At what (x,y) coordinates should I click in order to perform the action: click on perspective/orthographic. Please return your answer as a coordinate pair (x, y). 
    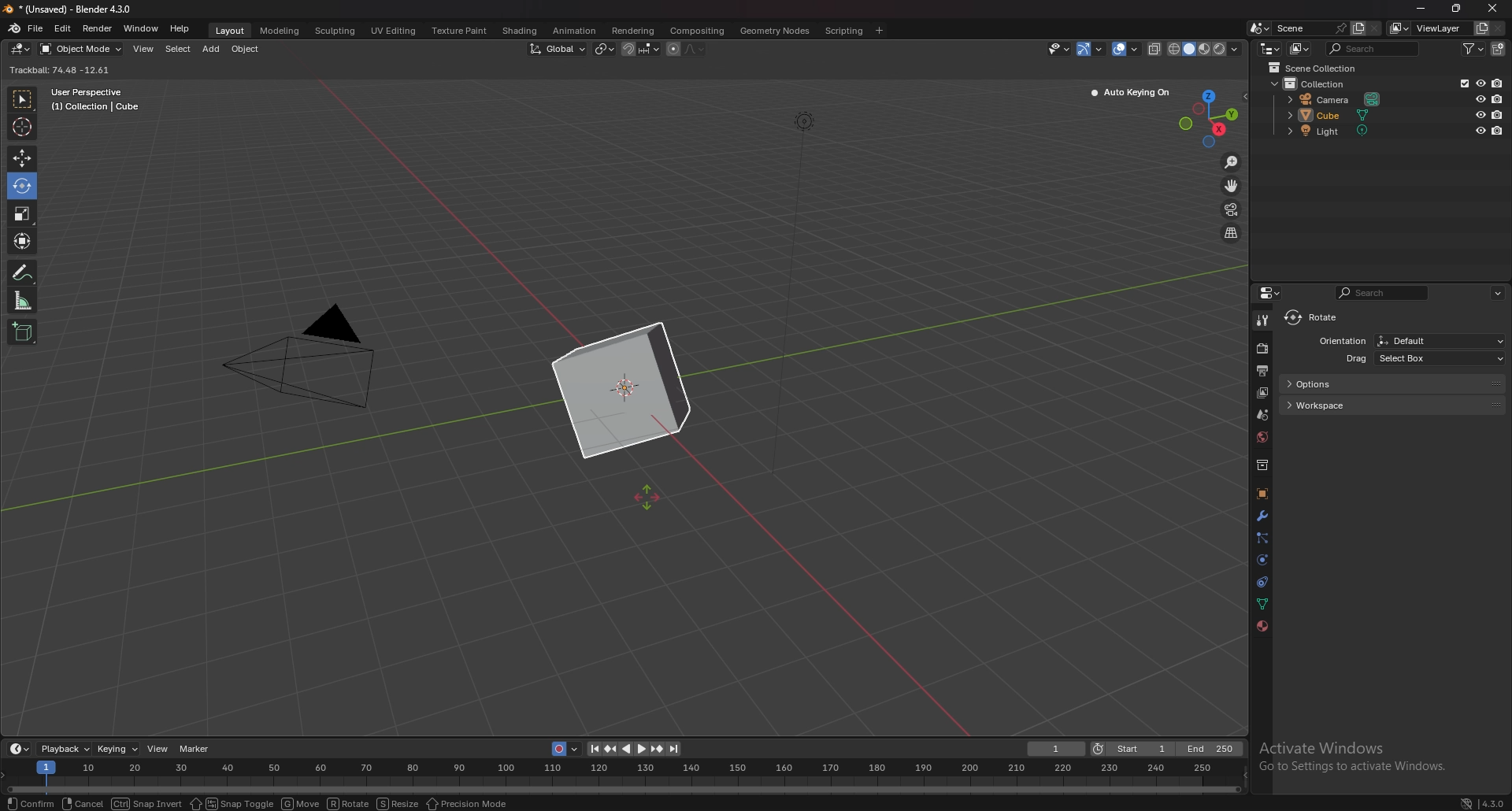
    Looking at the image, I should click on (1231, 232).